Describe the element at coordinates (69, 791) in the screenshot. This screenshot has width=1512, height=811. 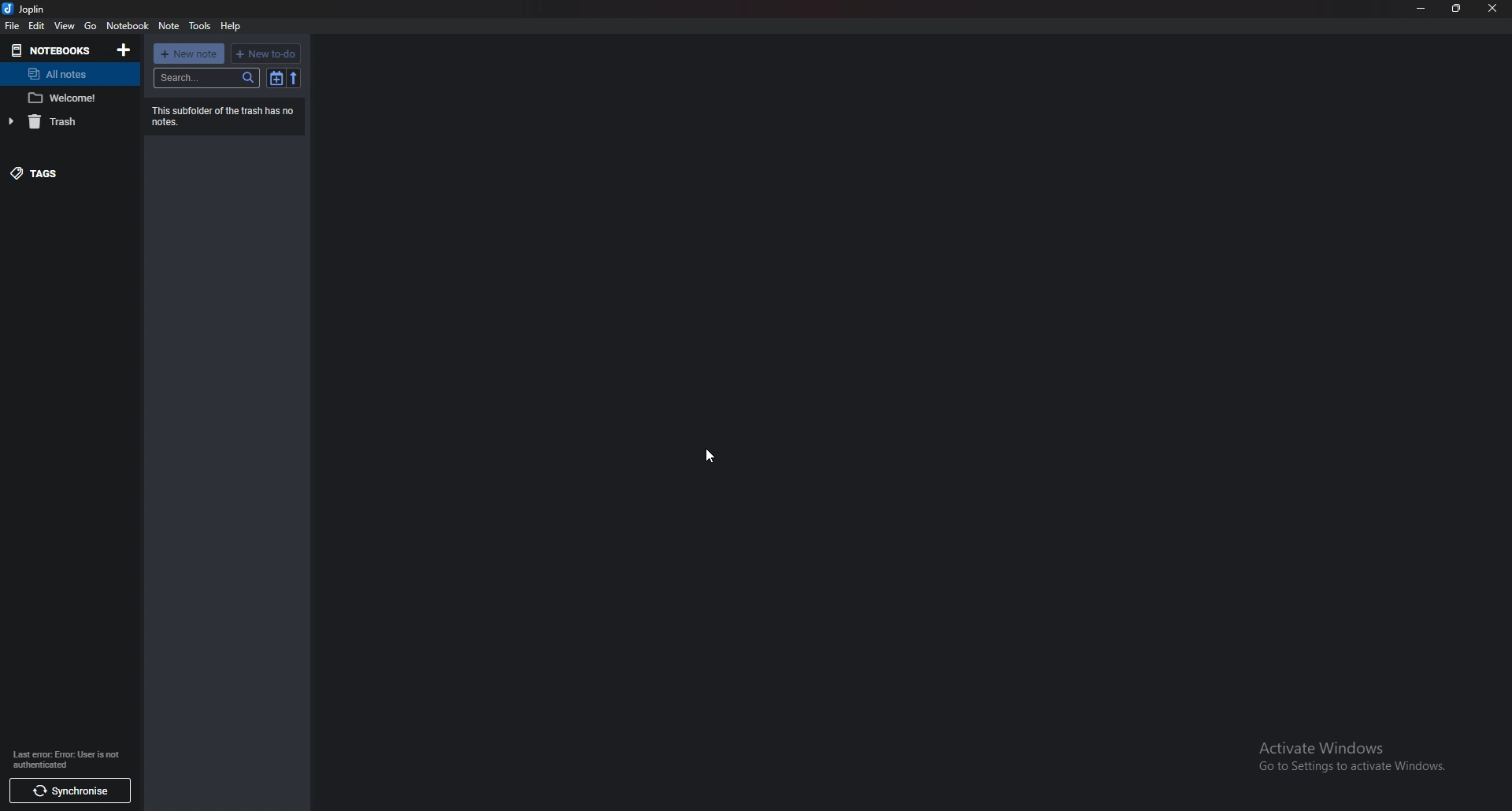
I see `Synchronize` at that location.